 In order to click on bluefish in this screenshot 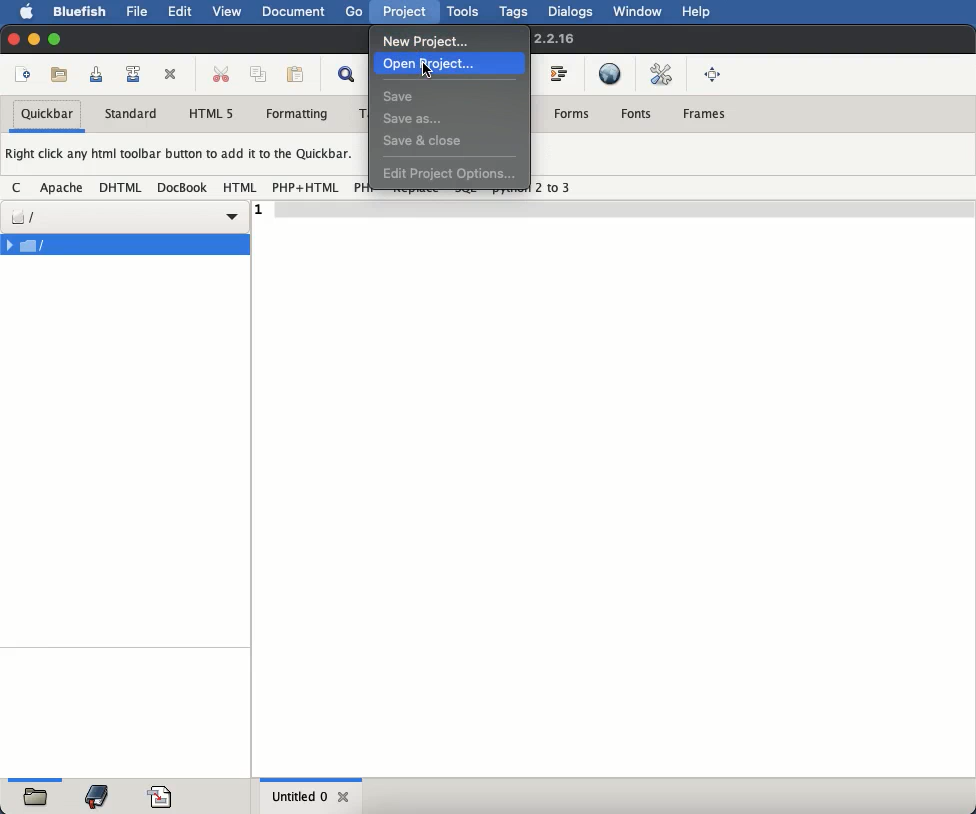, I will do `click(79, 9)`.